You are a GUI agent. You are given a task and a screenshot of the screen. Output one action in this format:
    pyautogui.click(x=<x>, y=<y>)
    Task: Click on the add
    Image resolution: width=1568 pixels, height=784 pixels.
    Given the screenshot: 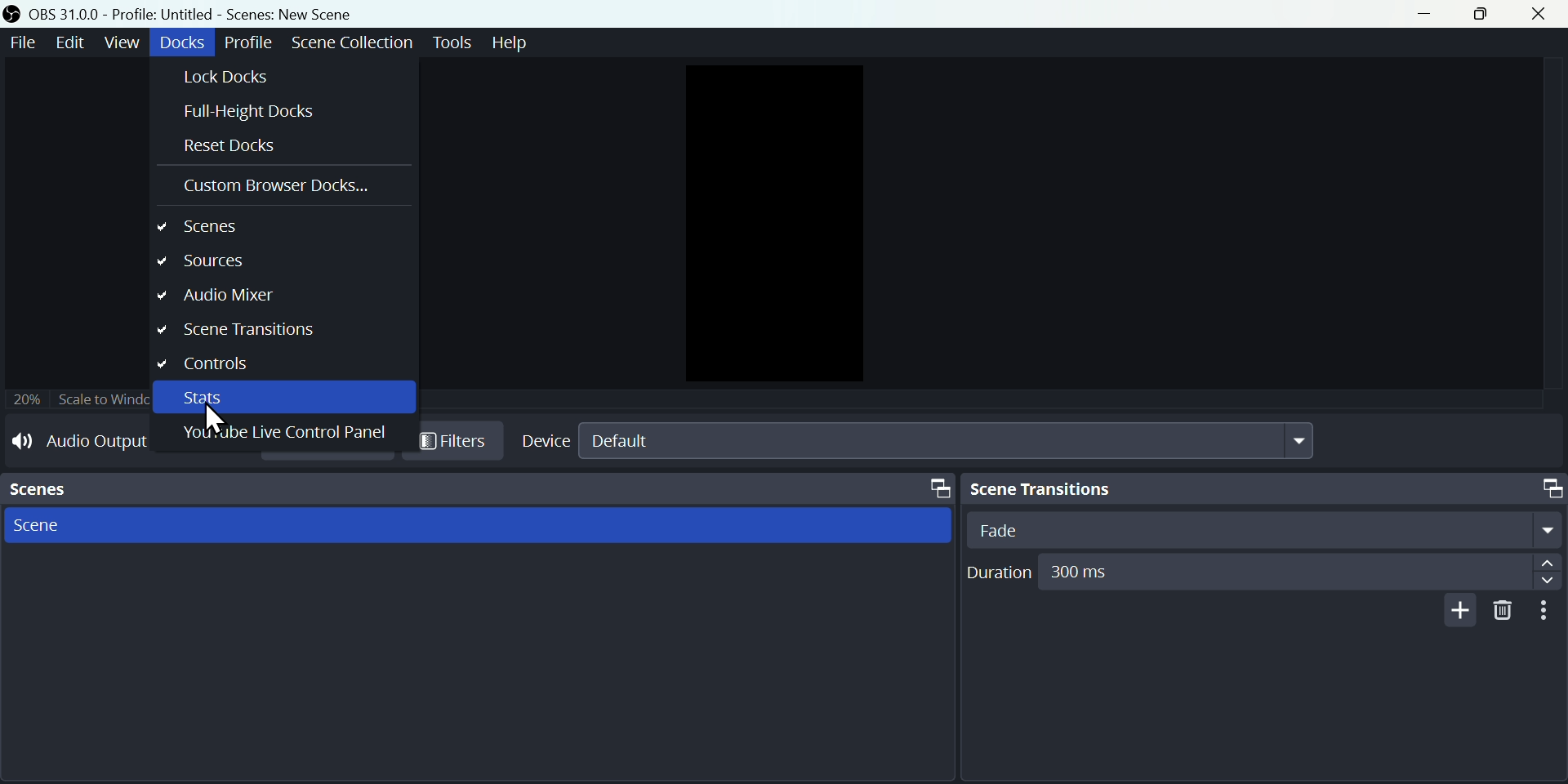 What is the action you would take?
    pyautogui.click(x=1456, y=611)
    